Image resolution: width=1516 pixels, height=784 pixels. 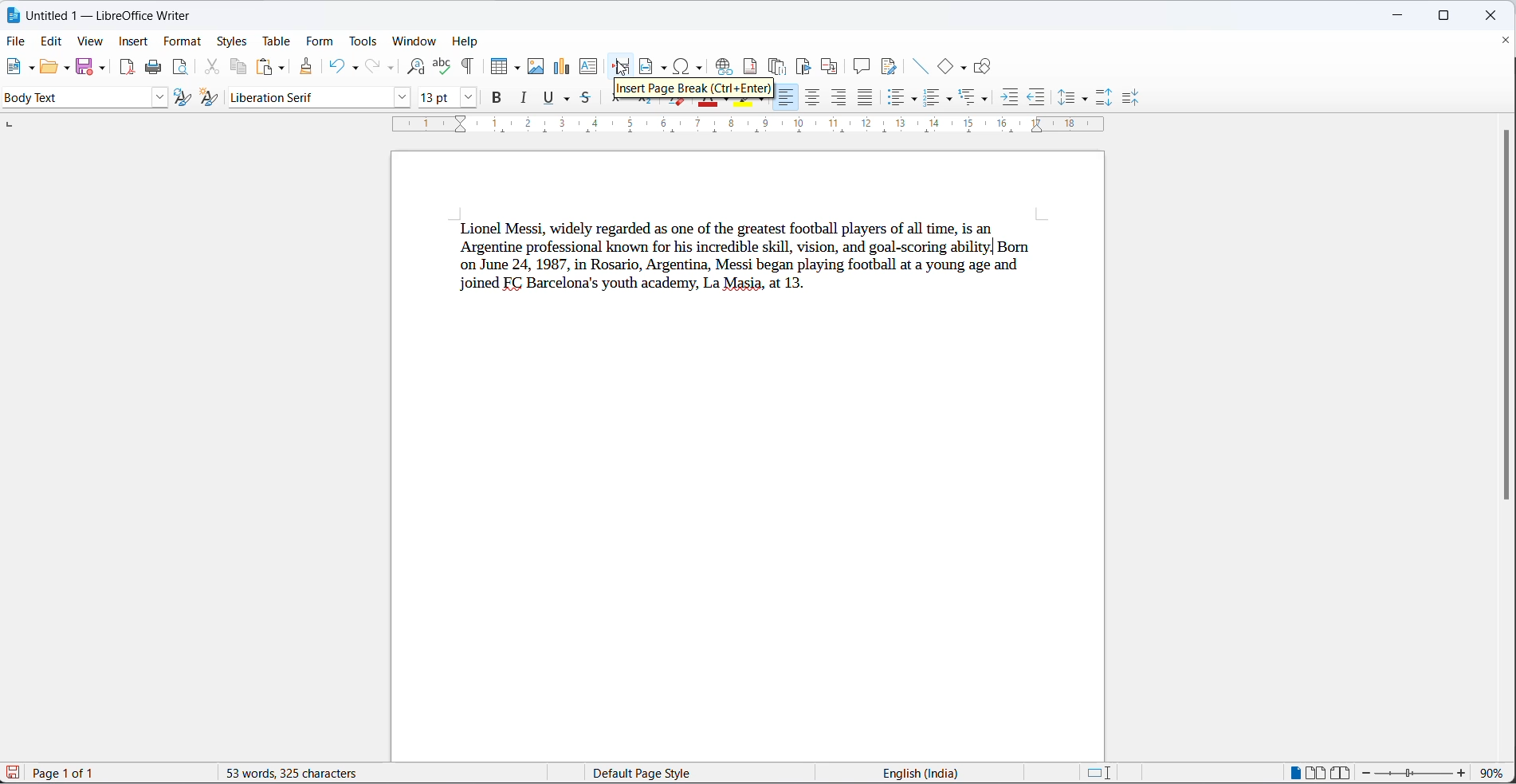 What do you see at coordinates (1010, 95) in the screenshot?
I see `increase indent` at bounding box center [1010, 95].